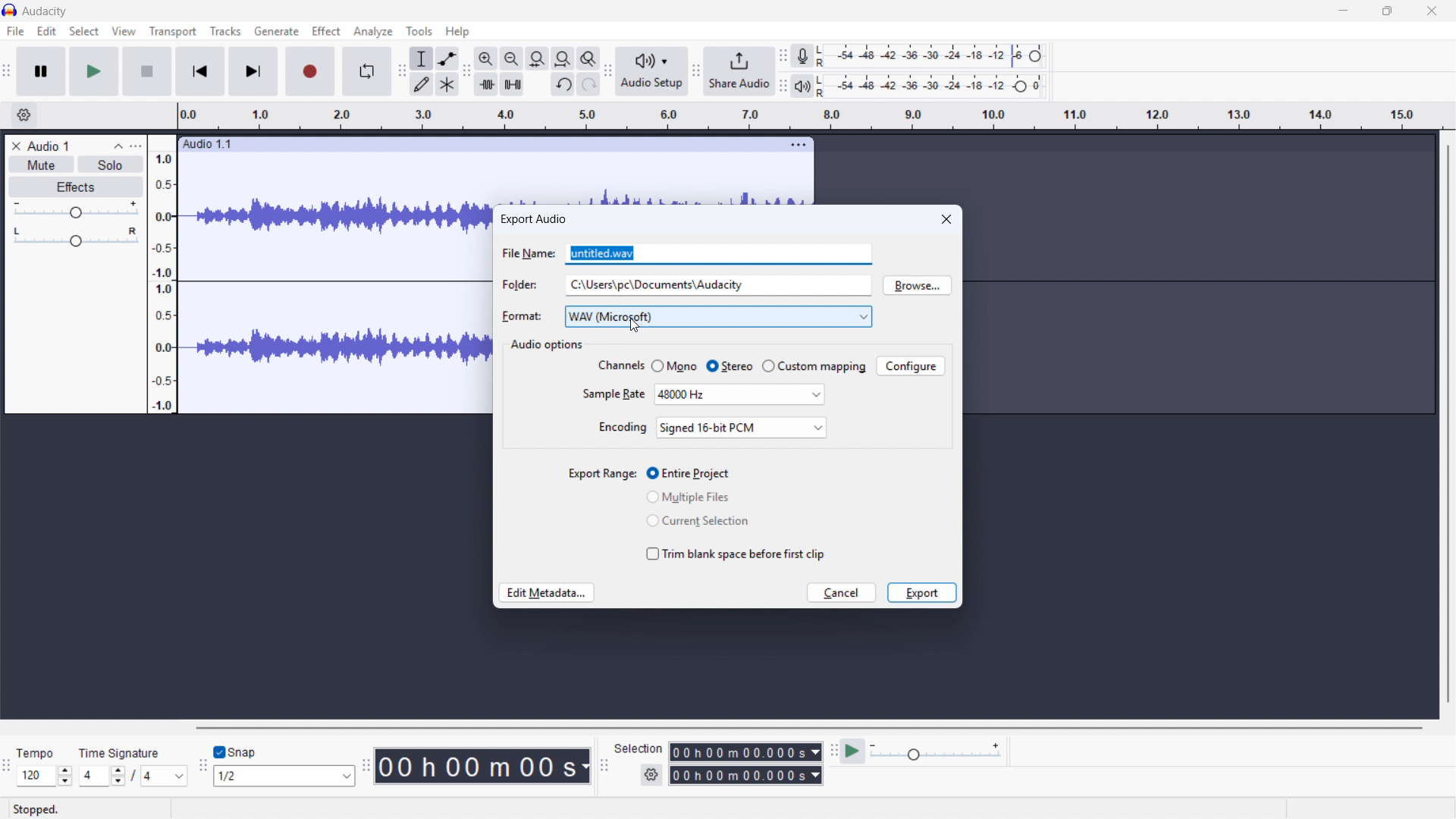 The image size is (1456, 819). Describe the element at coordinates (401, 71) in the screenshot. I see `Tools toolbar ` at that location.